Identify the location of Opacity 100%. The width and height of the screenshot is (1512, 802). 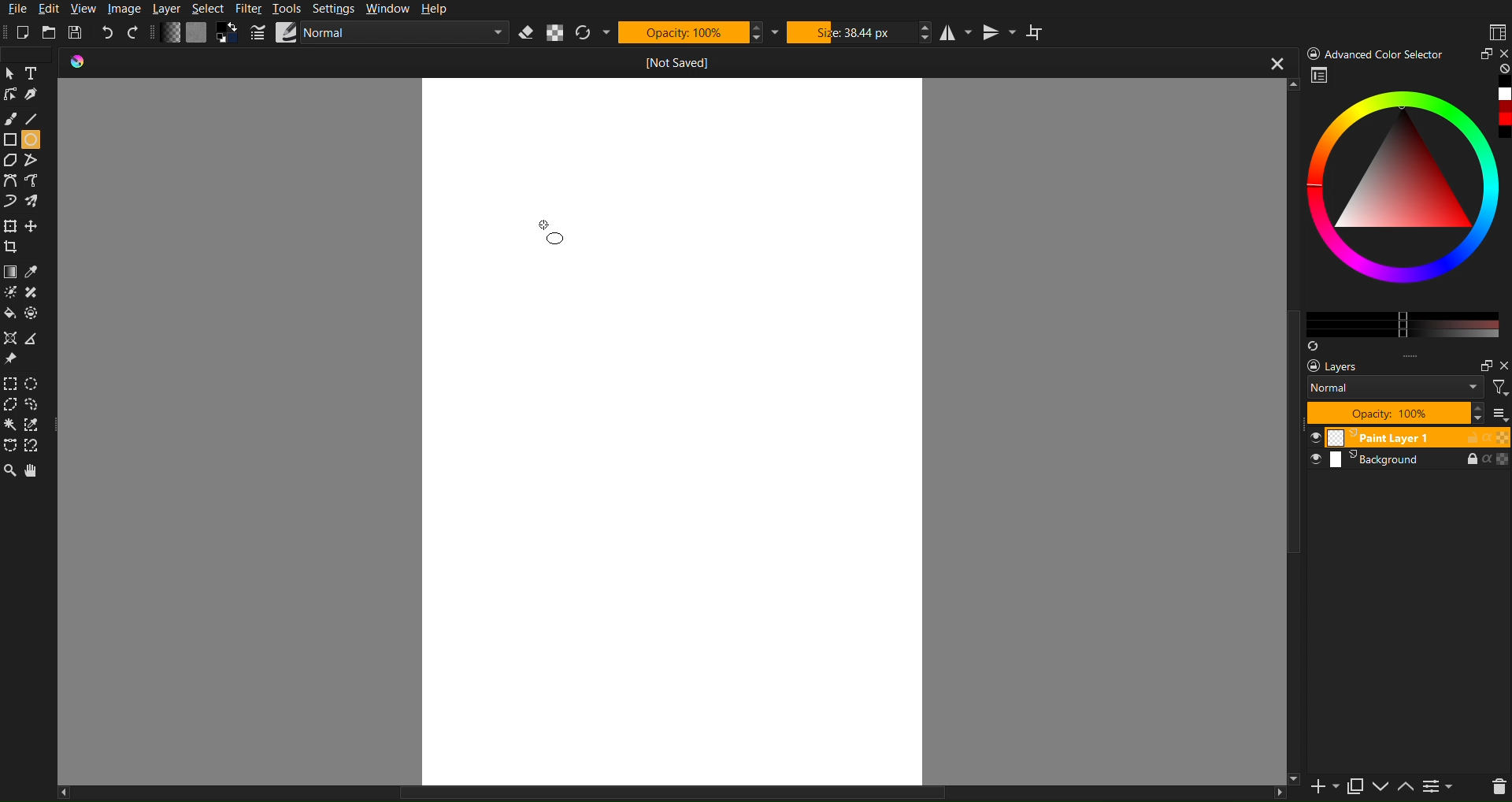
(1396, 412).